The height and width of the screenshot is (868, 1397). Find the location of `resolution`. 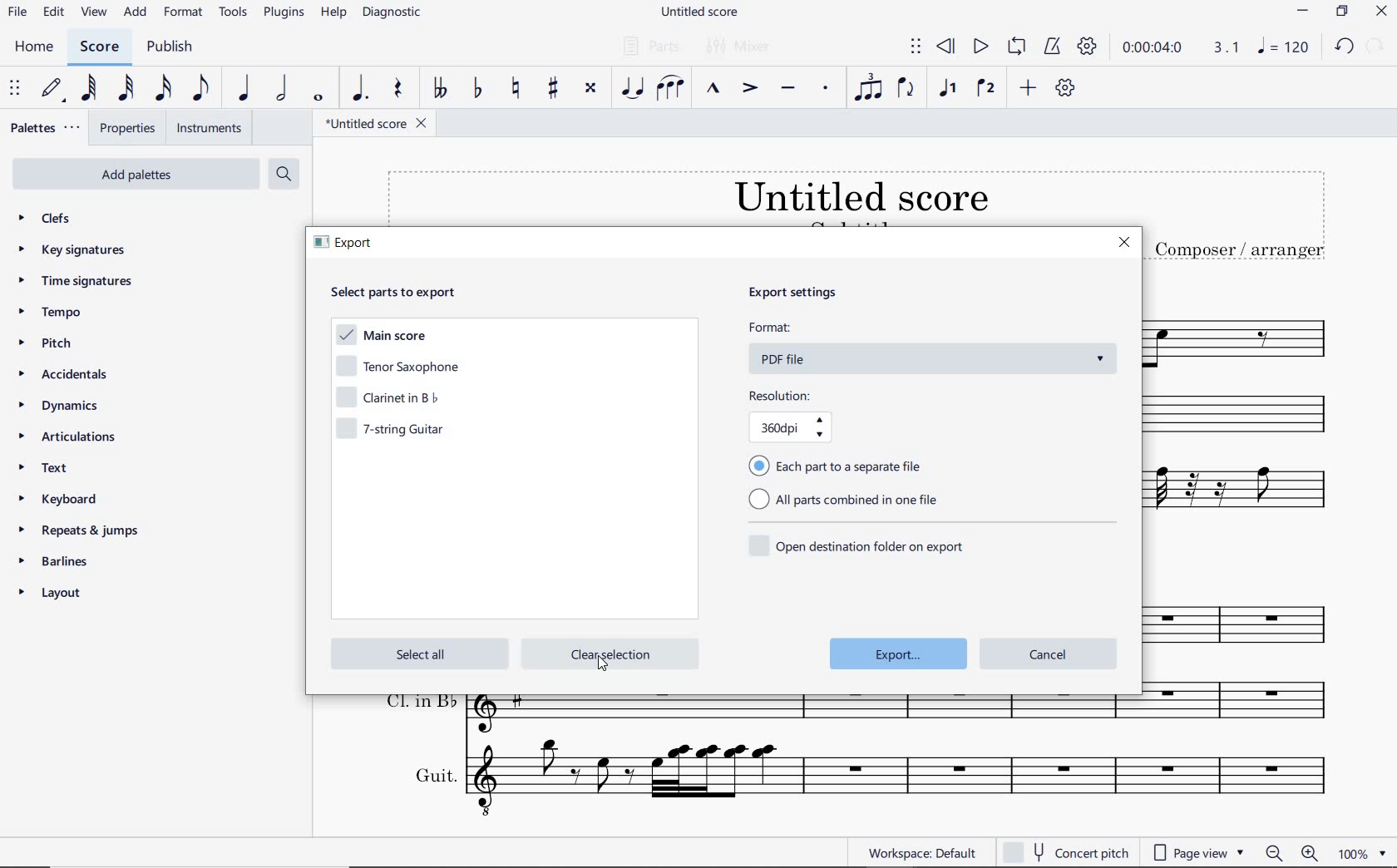

resolution is located at coordinates (818, 396).